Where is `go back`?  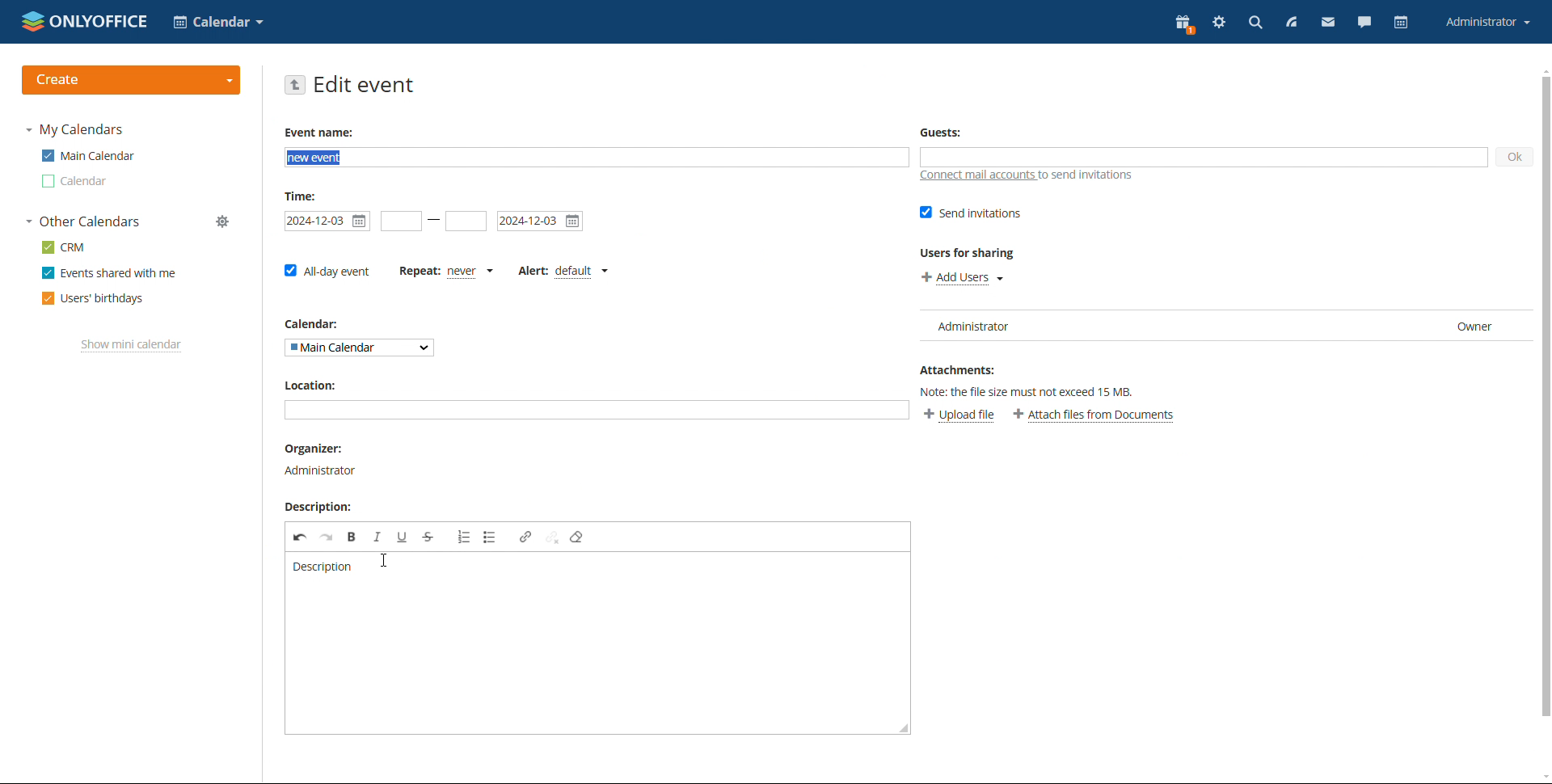
go back is located at coordinates (295, 85).